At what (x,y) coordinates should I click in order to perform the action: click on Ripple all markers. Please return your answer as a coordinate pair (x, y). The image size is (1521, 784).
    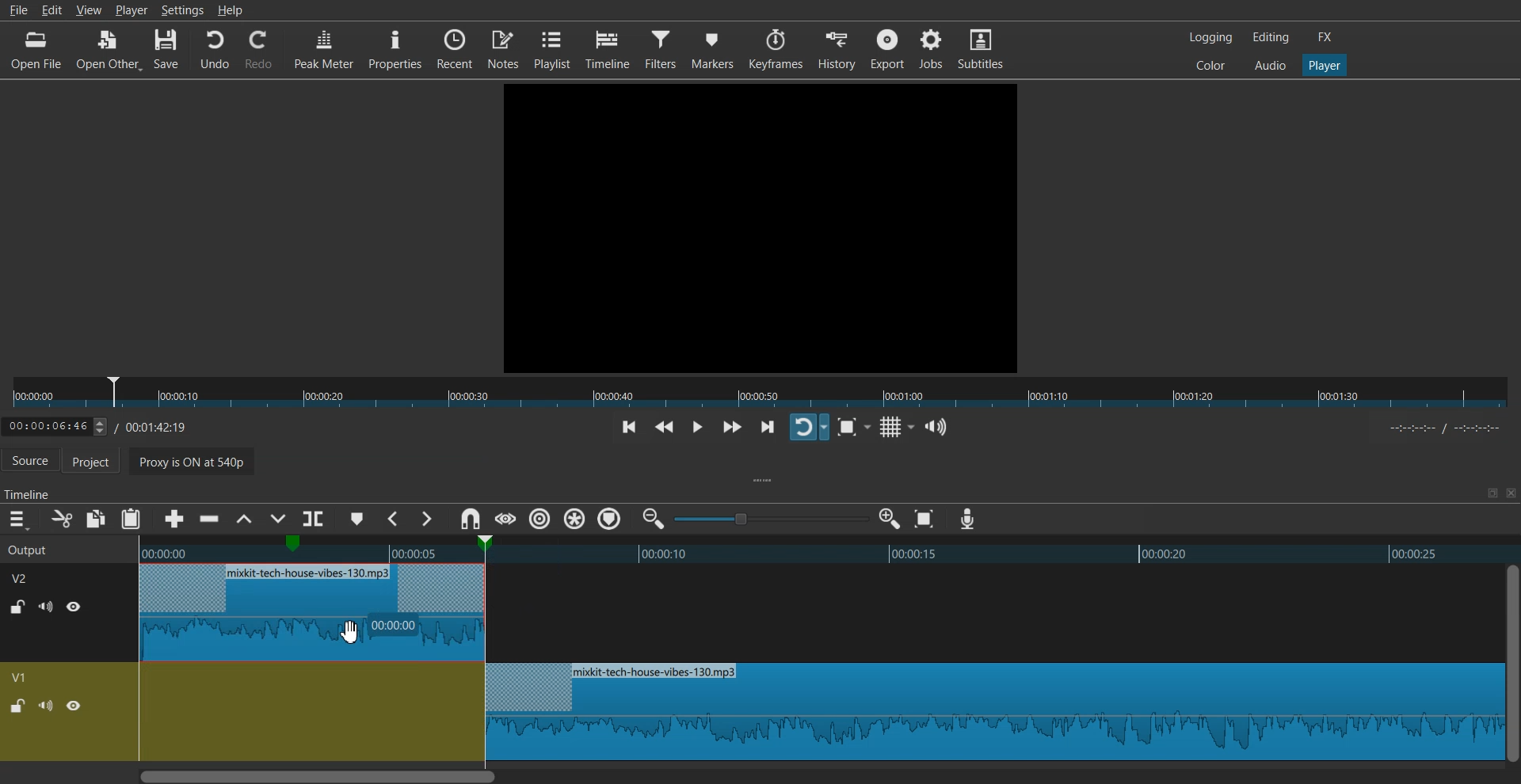
    Looking at the image, I should click on (575, 519).